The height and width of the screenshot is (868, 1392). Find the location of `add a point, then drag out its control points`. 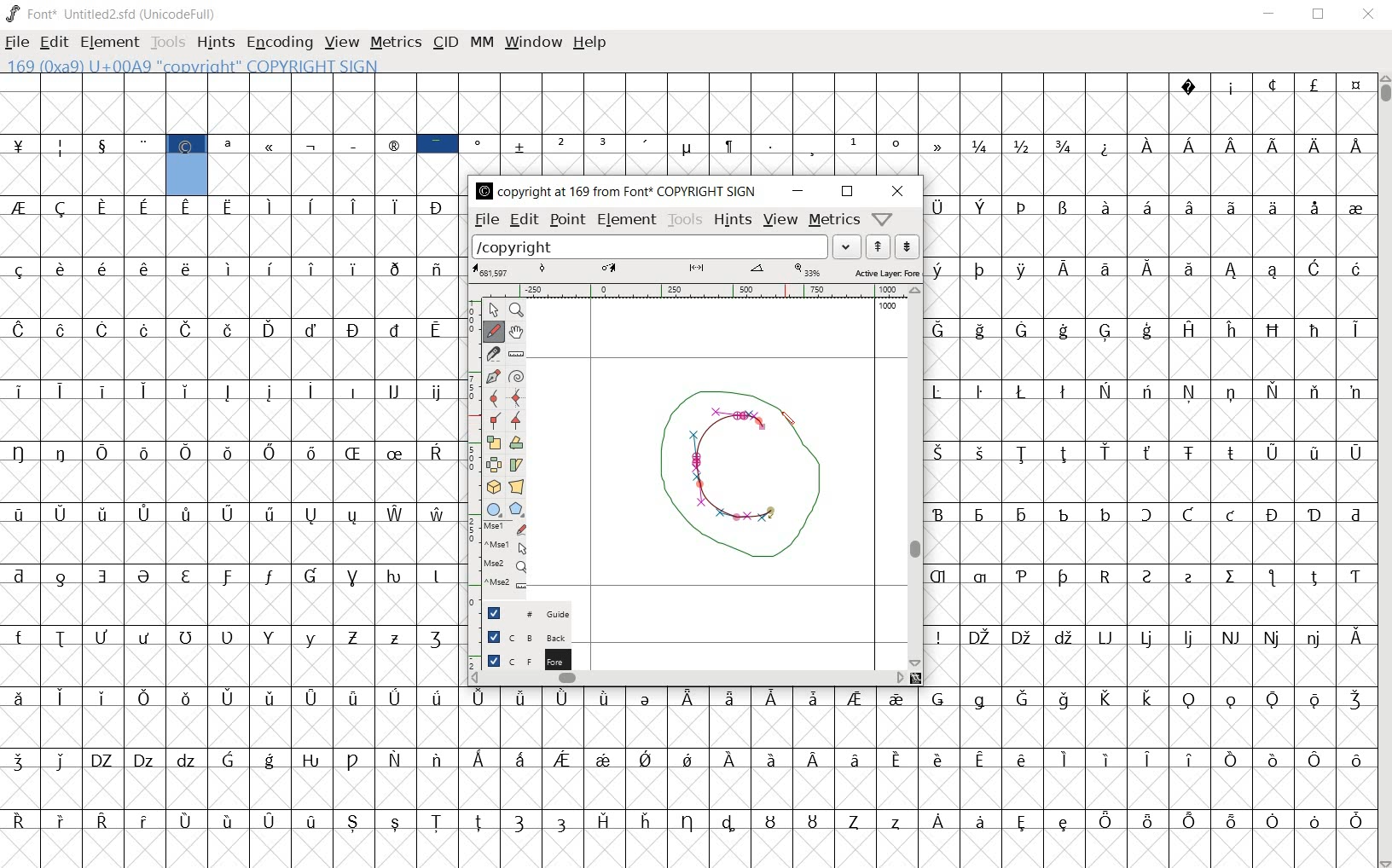

add a point, then drag out its control points is located at coordinates (493, 375).